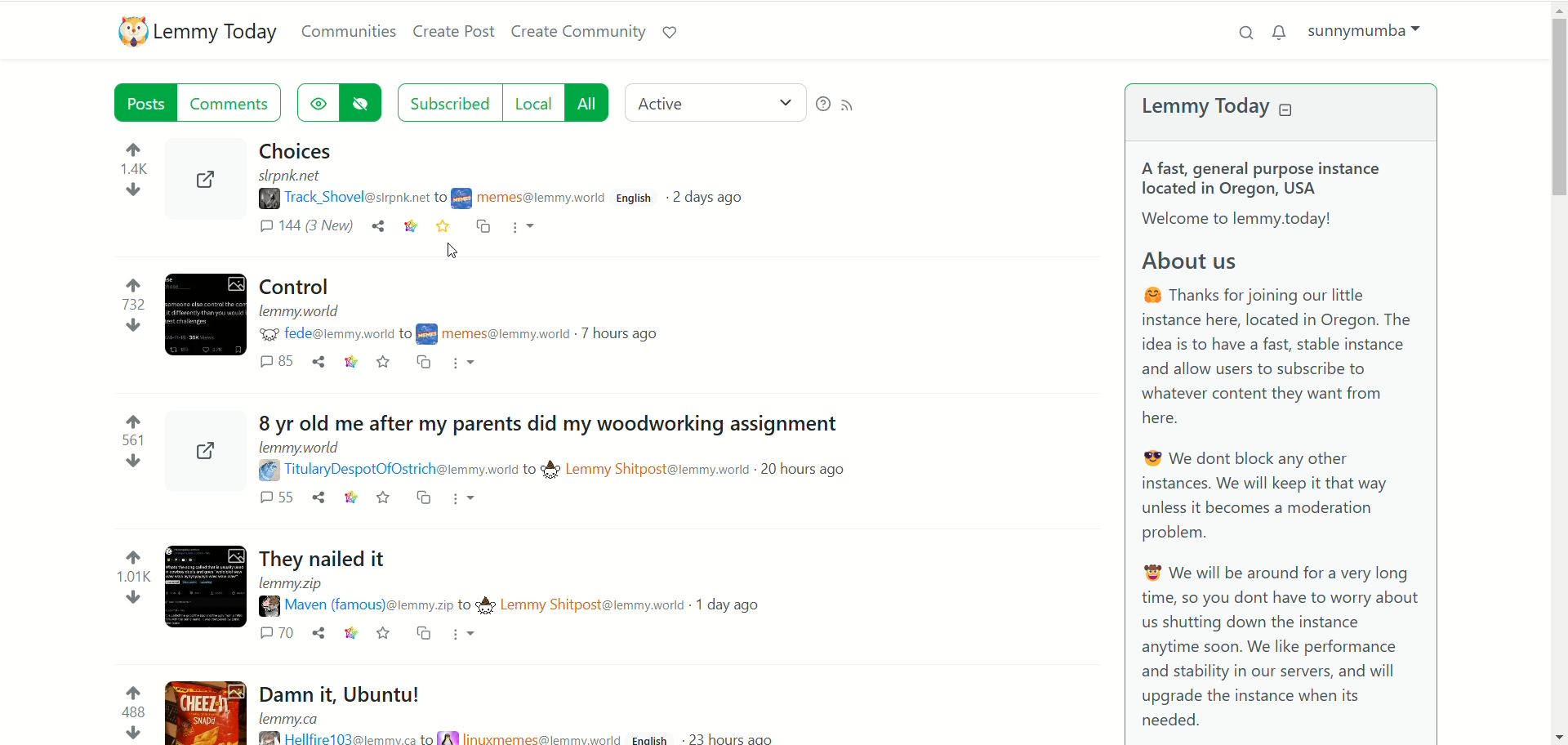 The image size is (1568, 745). I want to click on RSS, so click(852, 106).